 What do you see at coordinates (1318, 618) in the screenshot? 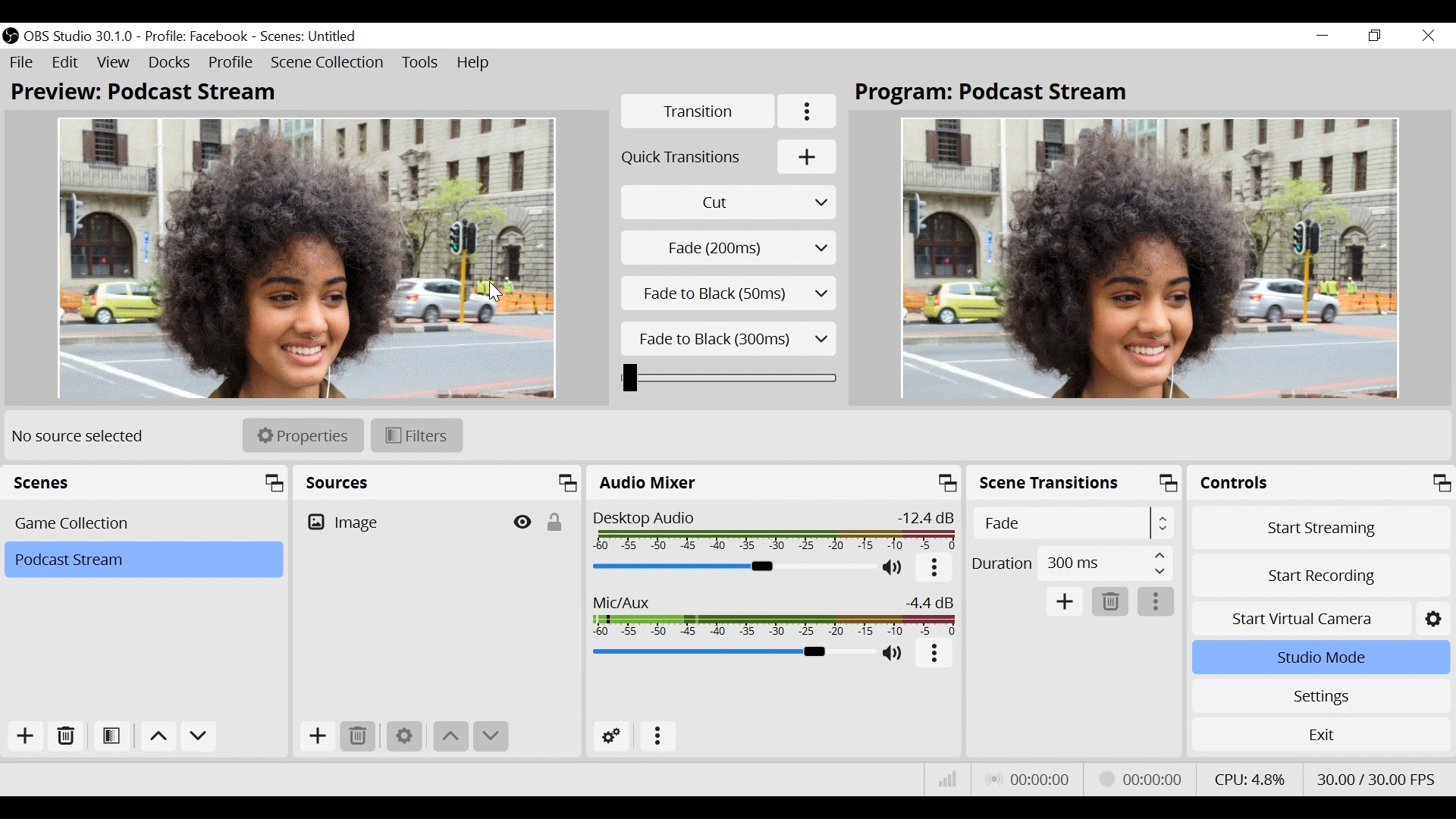
I see `Start Virtual Camera` at bounding box center [1318, 618].